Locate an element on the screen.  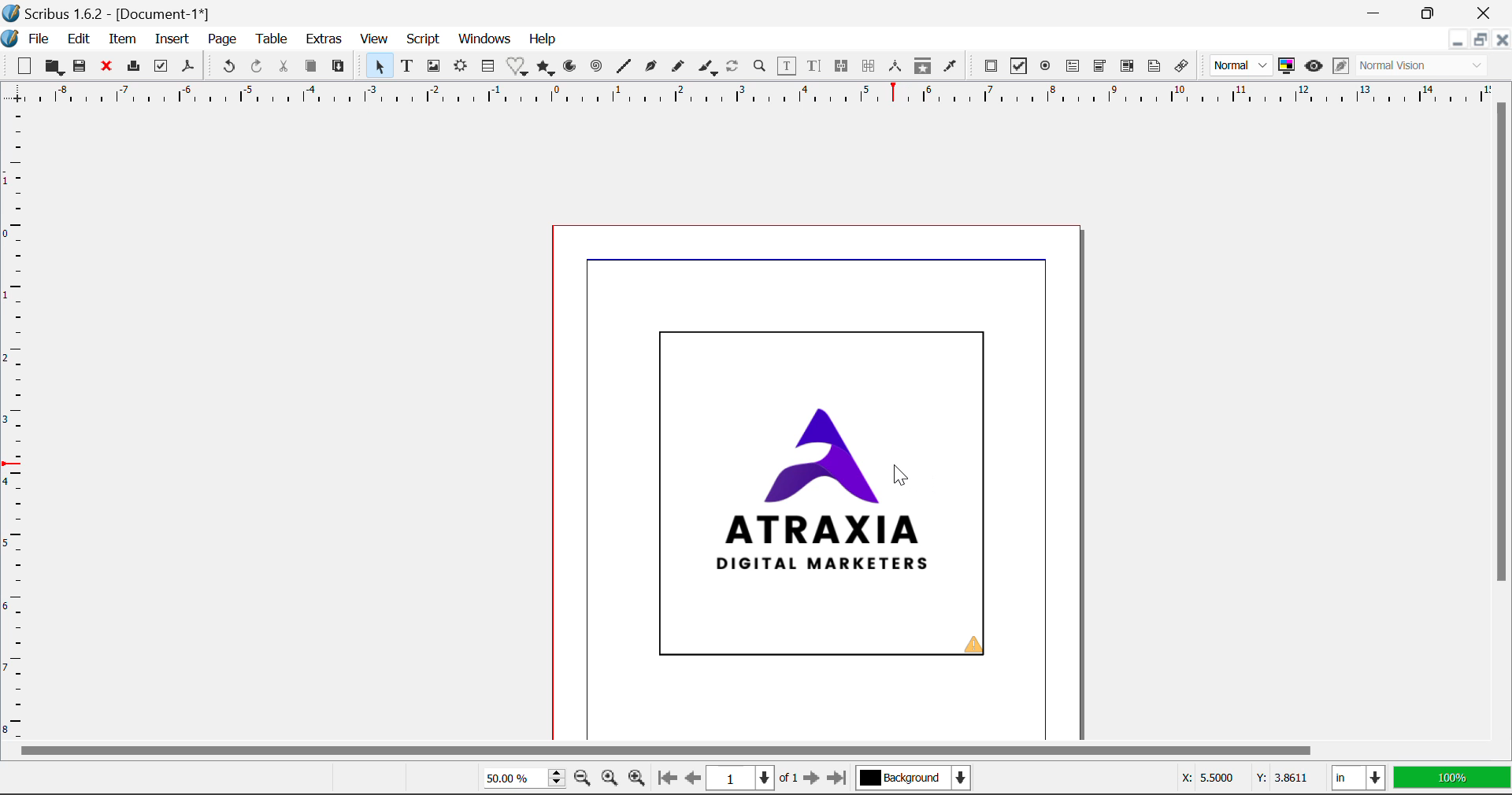
Undo is located at coordinates (226, 66).